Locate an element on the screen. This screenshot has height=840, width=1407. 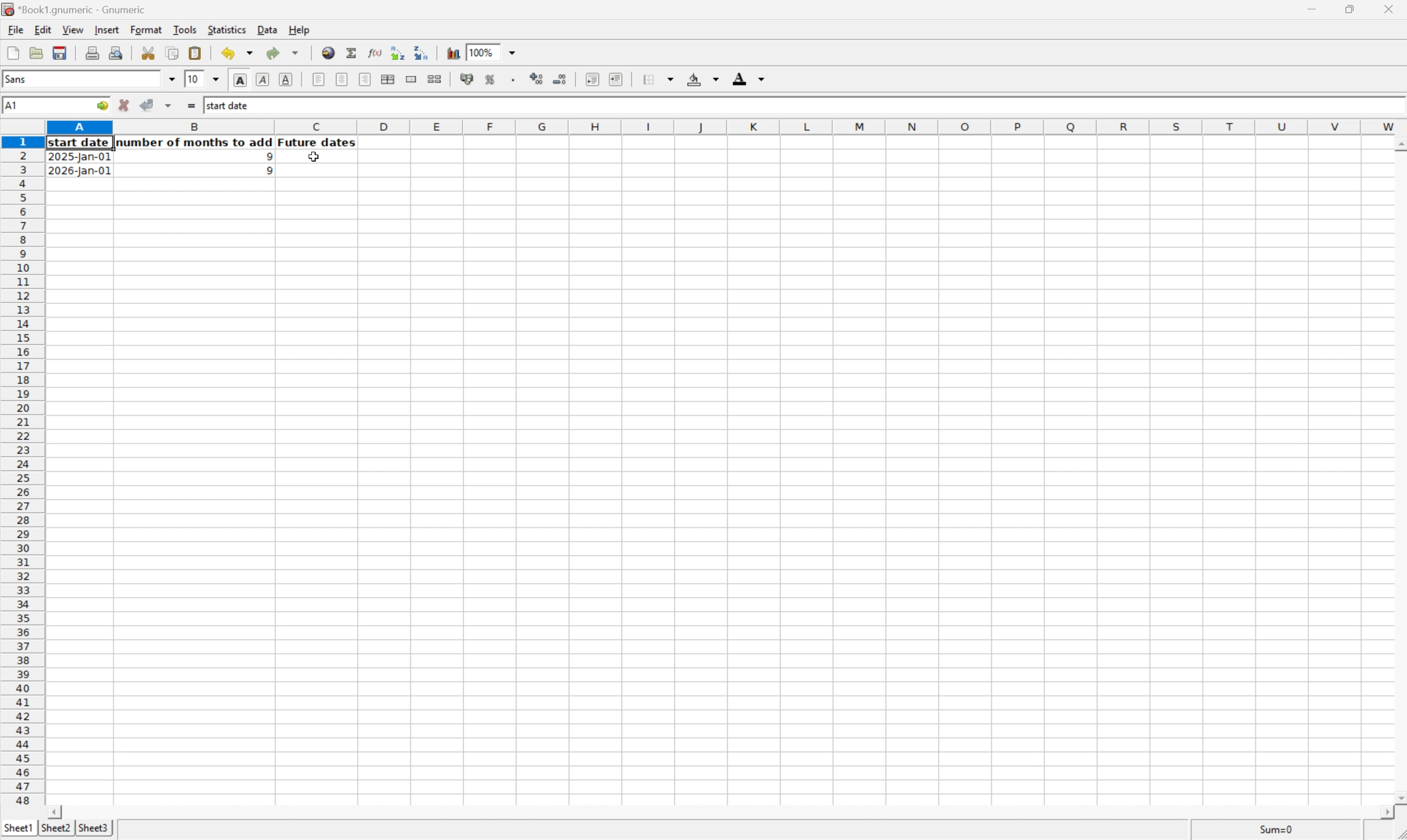
Help is located at coordinates (299, 29).